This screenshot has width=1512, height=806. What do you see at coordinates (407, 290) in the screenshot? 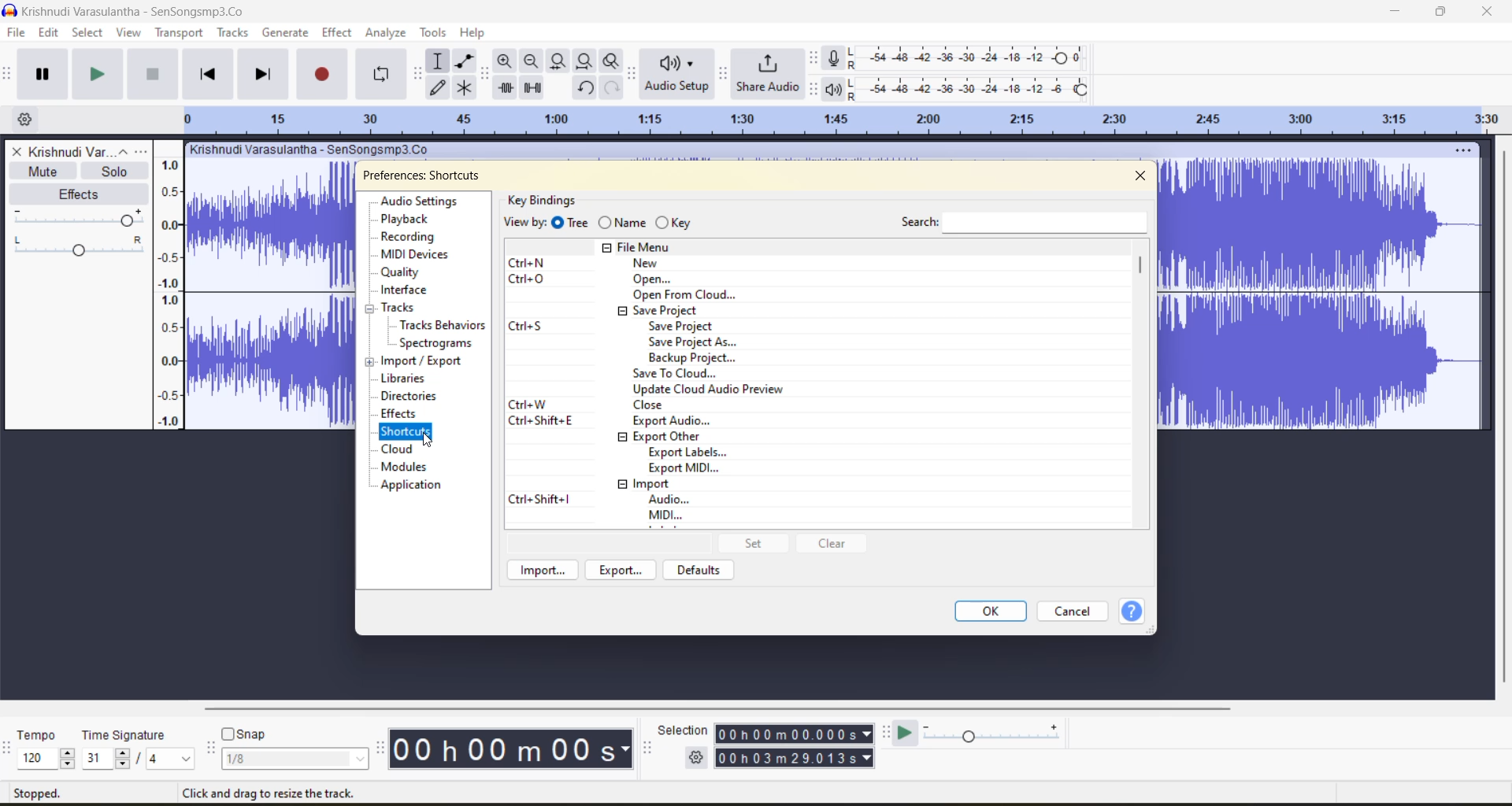
I see `interface` at bounding box center [407, 290].